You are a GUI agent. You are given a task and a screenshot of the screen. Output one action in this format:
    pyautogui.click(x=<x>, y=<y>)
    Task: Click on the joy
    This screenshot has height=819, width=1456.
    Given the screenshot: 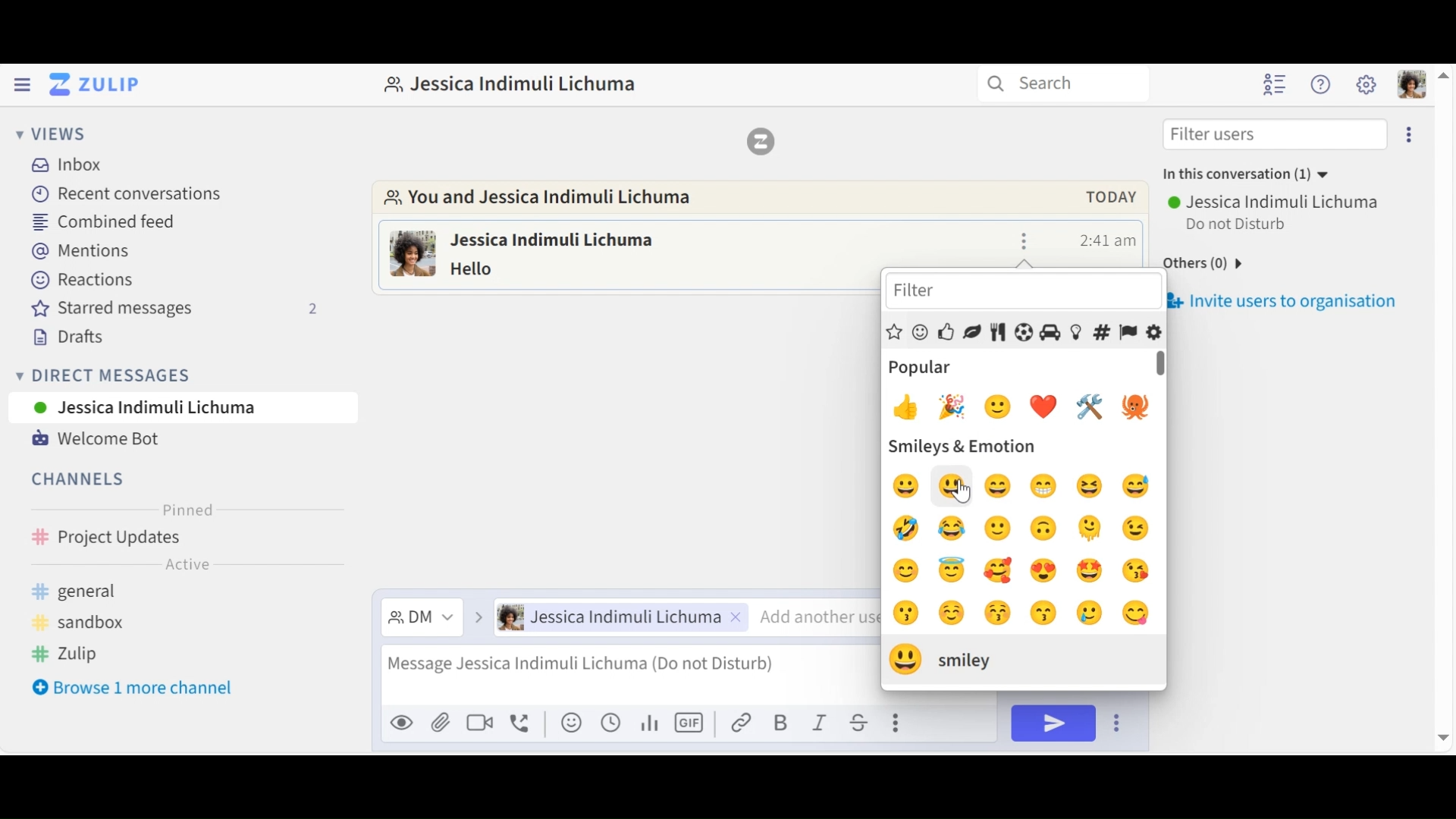 What is the action you would take?
    pyautogui.click(x=958, y=529)
    